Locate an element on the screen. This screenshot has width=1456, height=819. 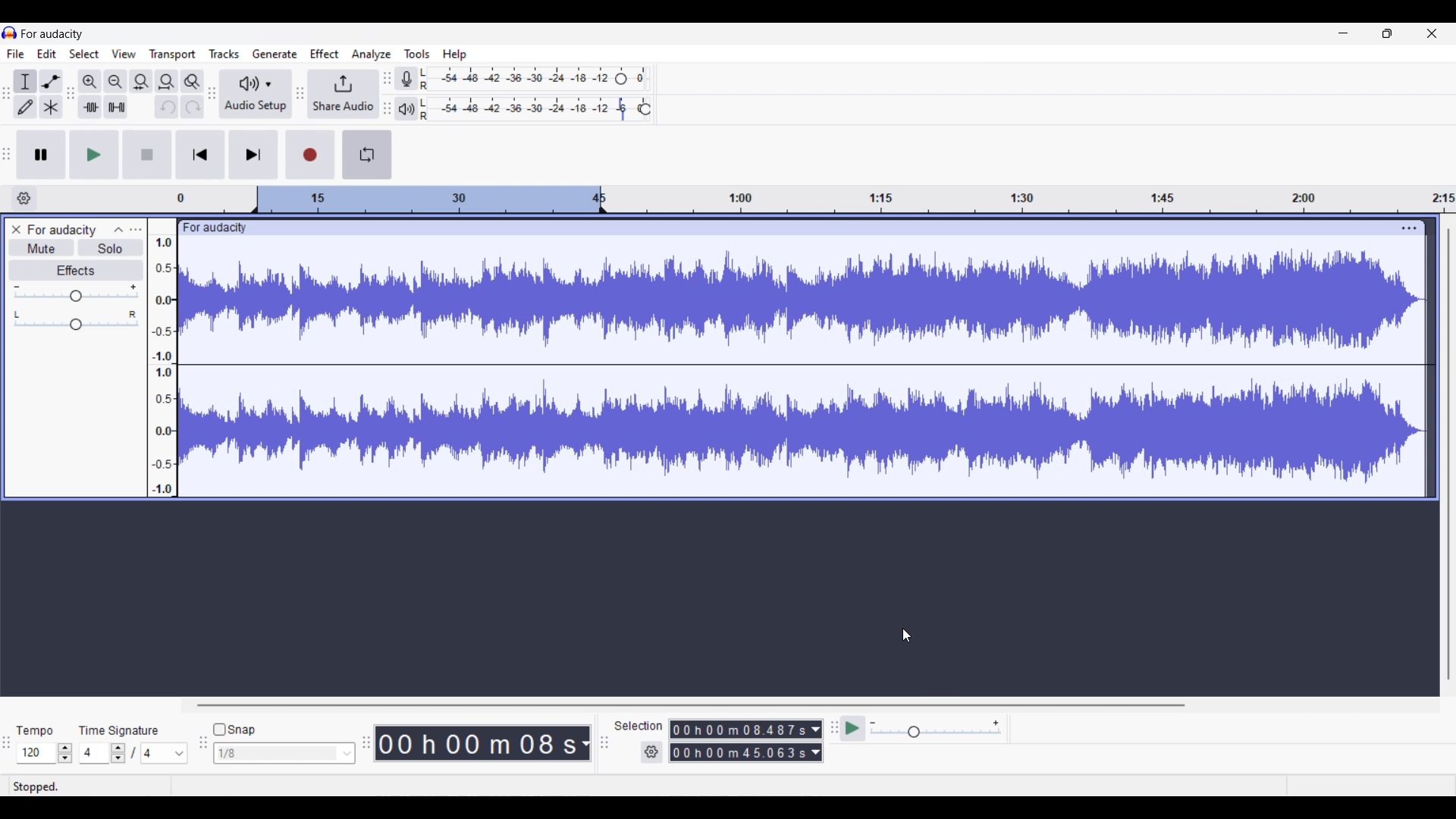
Scale to measure intensty if sound is located at coordinates (162, 366).